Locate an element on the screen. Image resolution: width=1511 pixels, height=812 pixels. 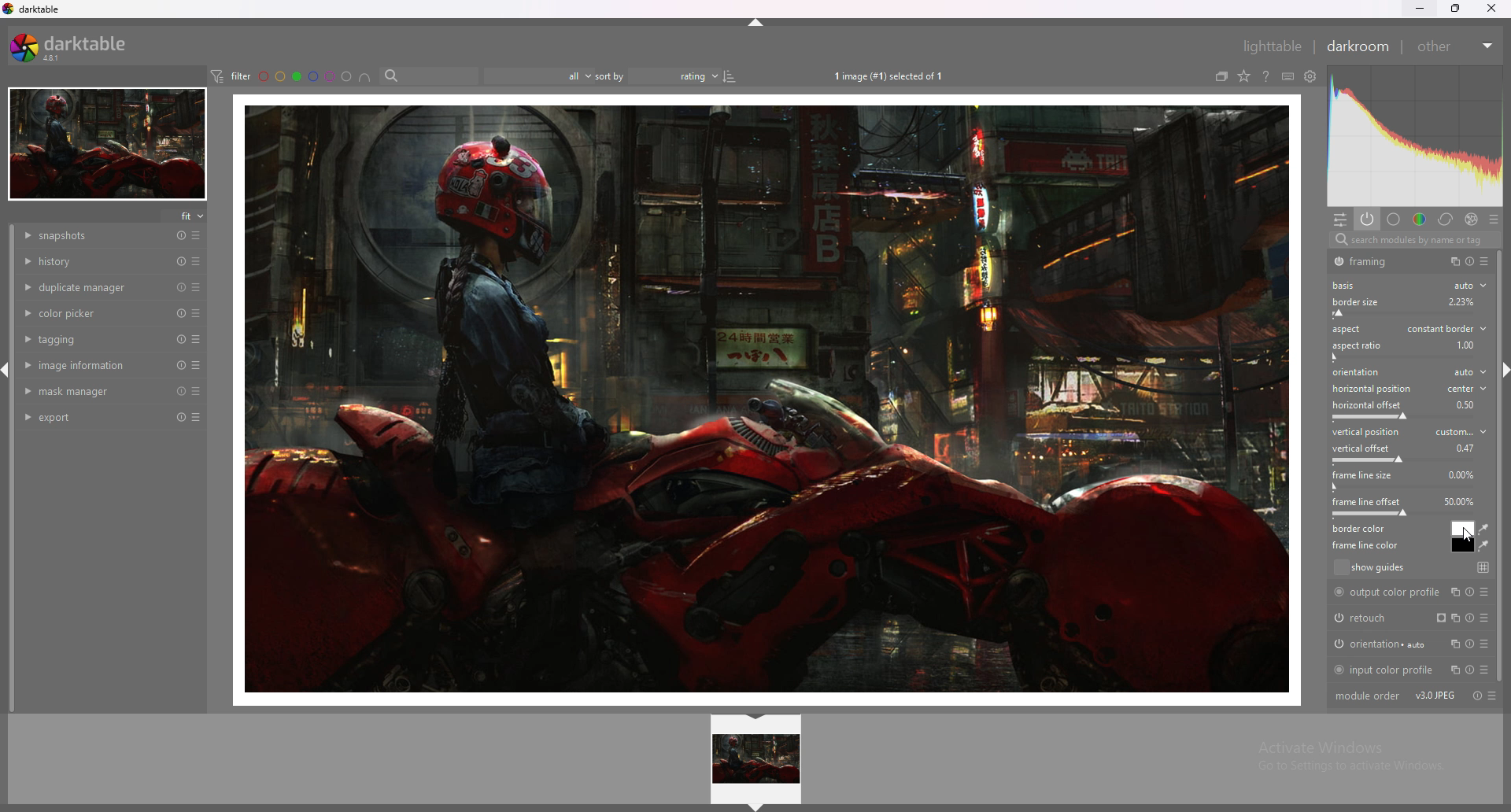
waterdrop is located at coordinates (1484, 546).